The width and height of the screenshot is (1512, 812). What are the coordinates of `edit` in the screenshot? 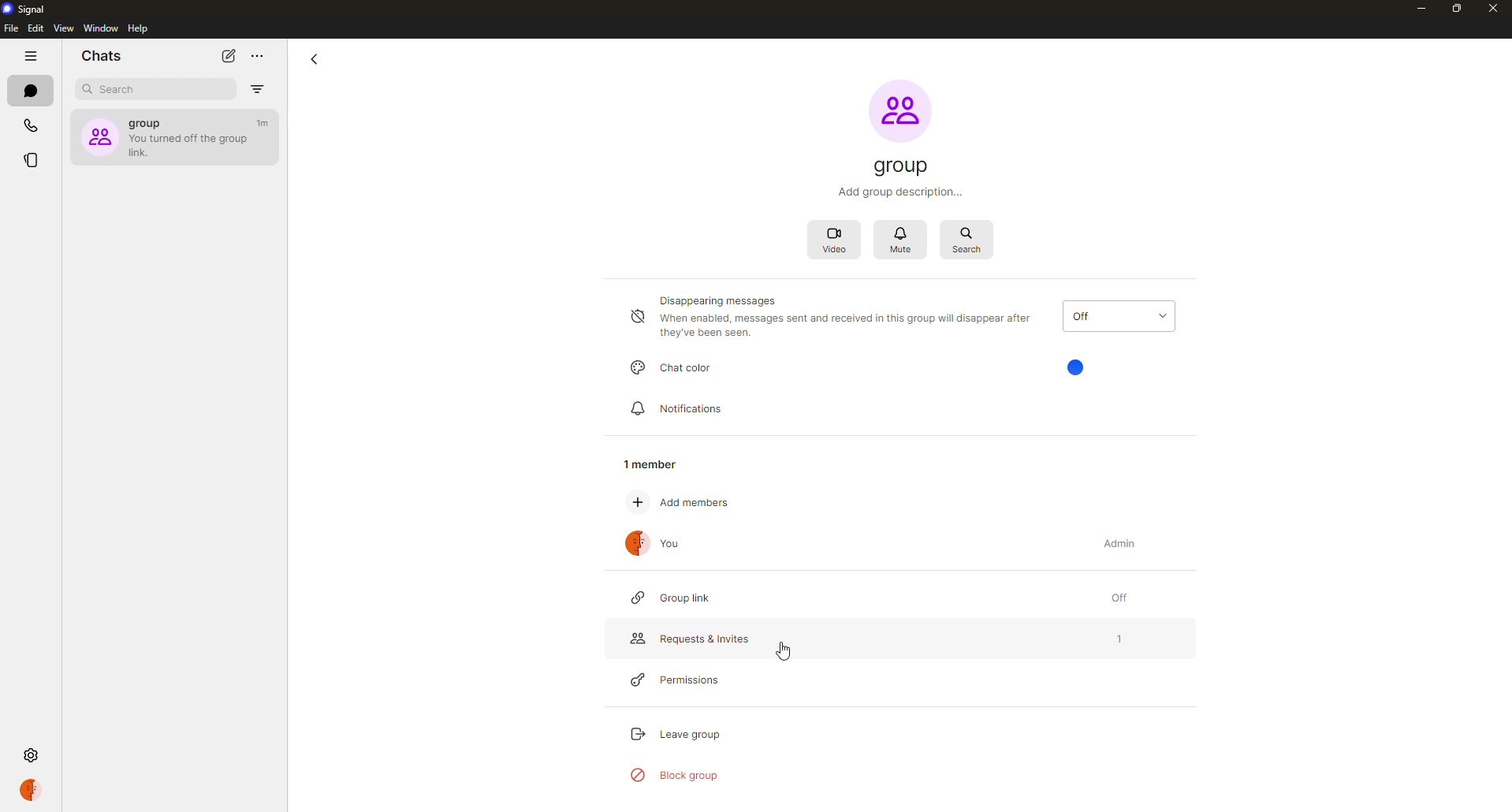 It's located at (36, 29).